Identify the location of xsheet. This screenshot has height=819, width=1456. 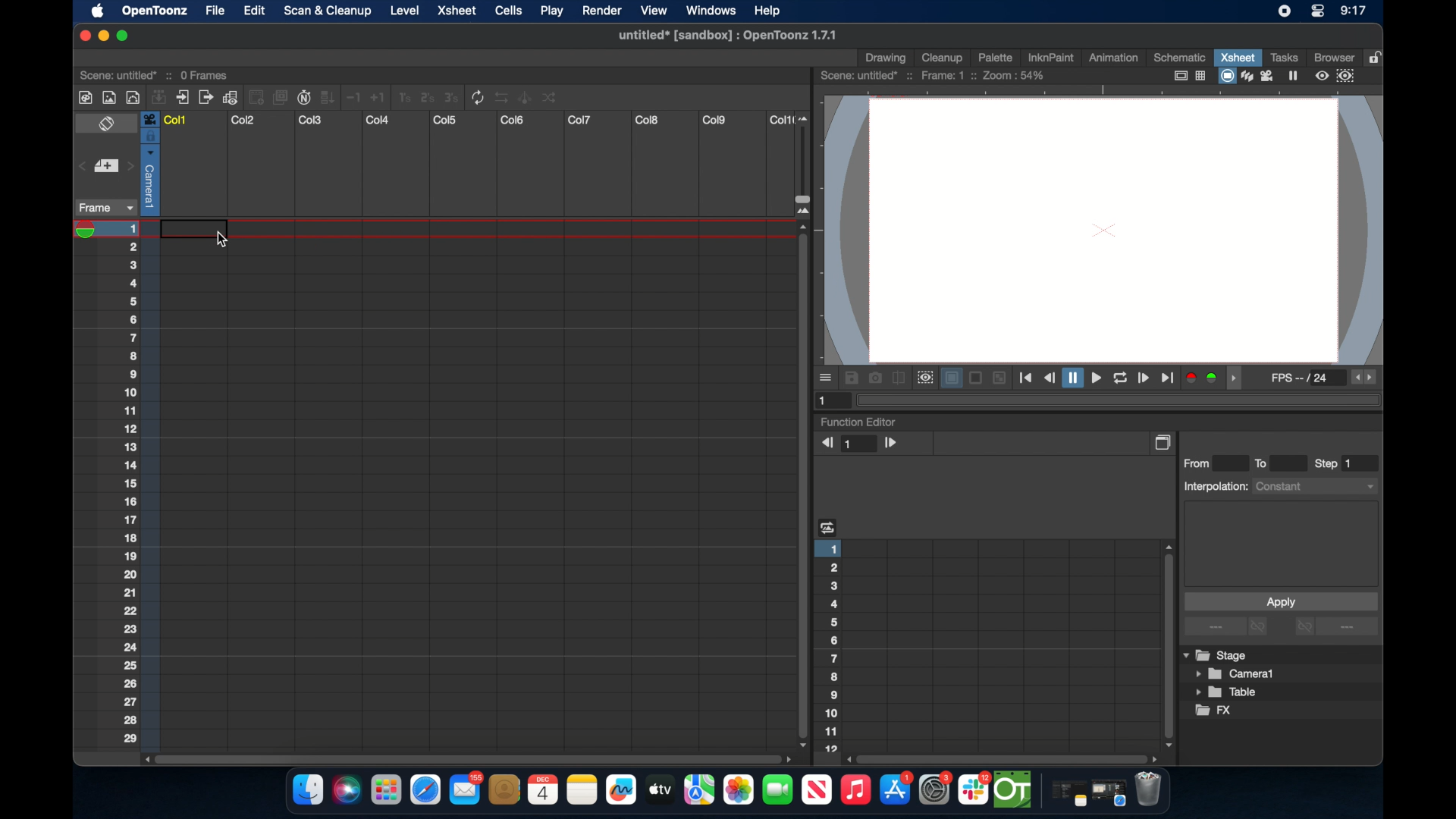
(1238, 57).